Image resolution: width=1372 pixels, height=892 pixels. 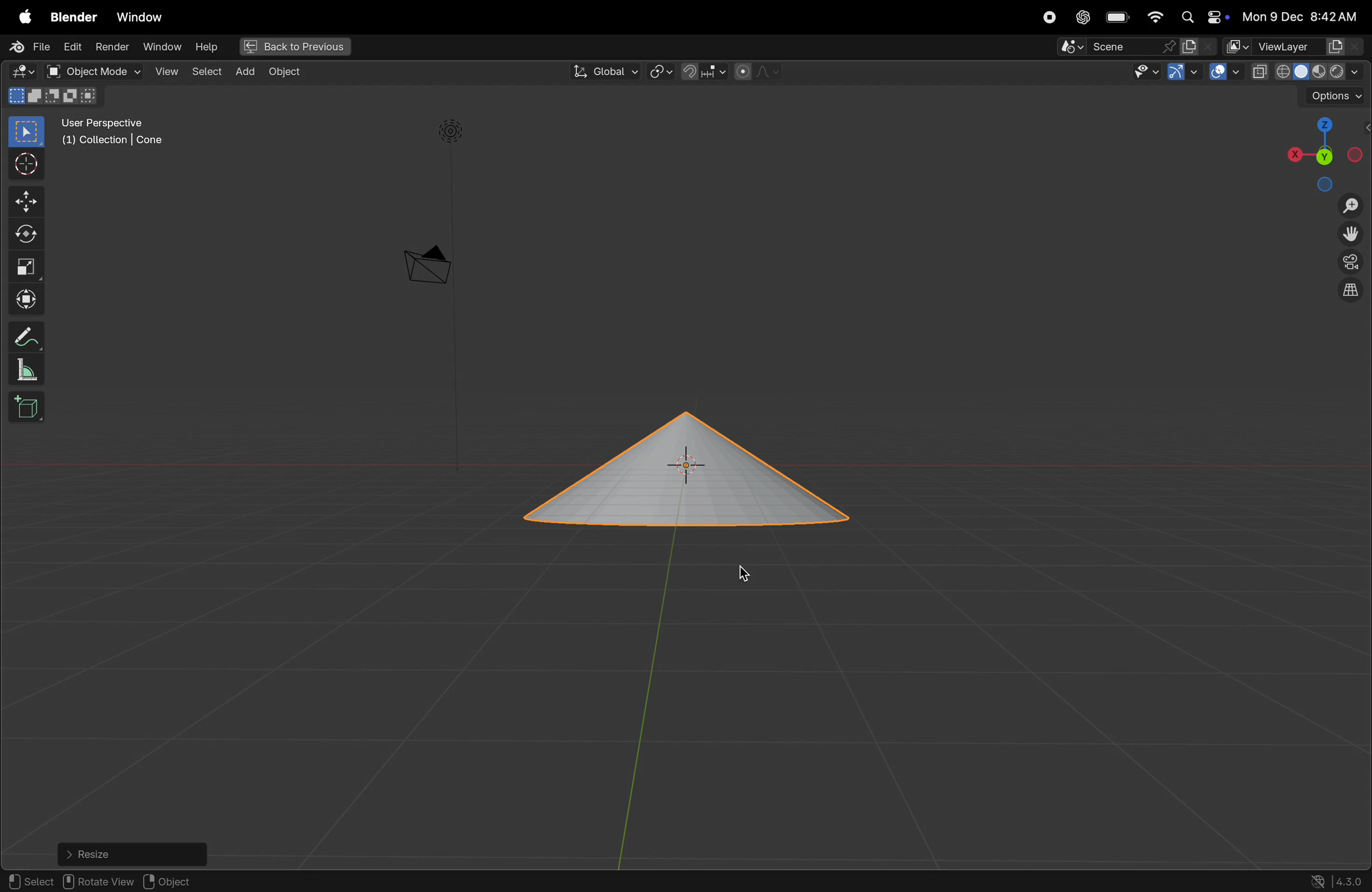 What do you see at coordinates (1351, 233) in the screenshot?
I see `move the view` at bounding box center [1351, 233].